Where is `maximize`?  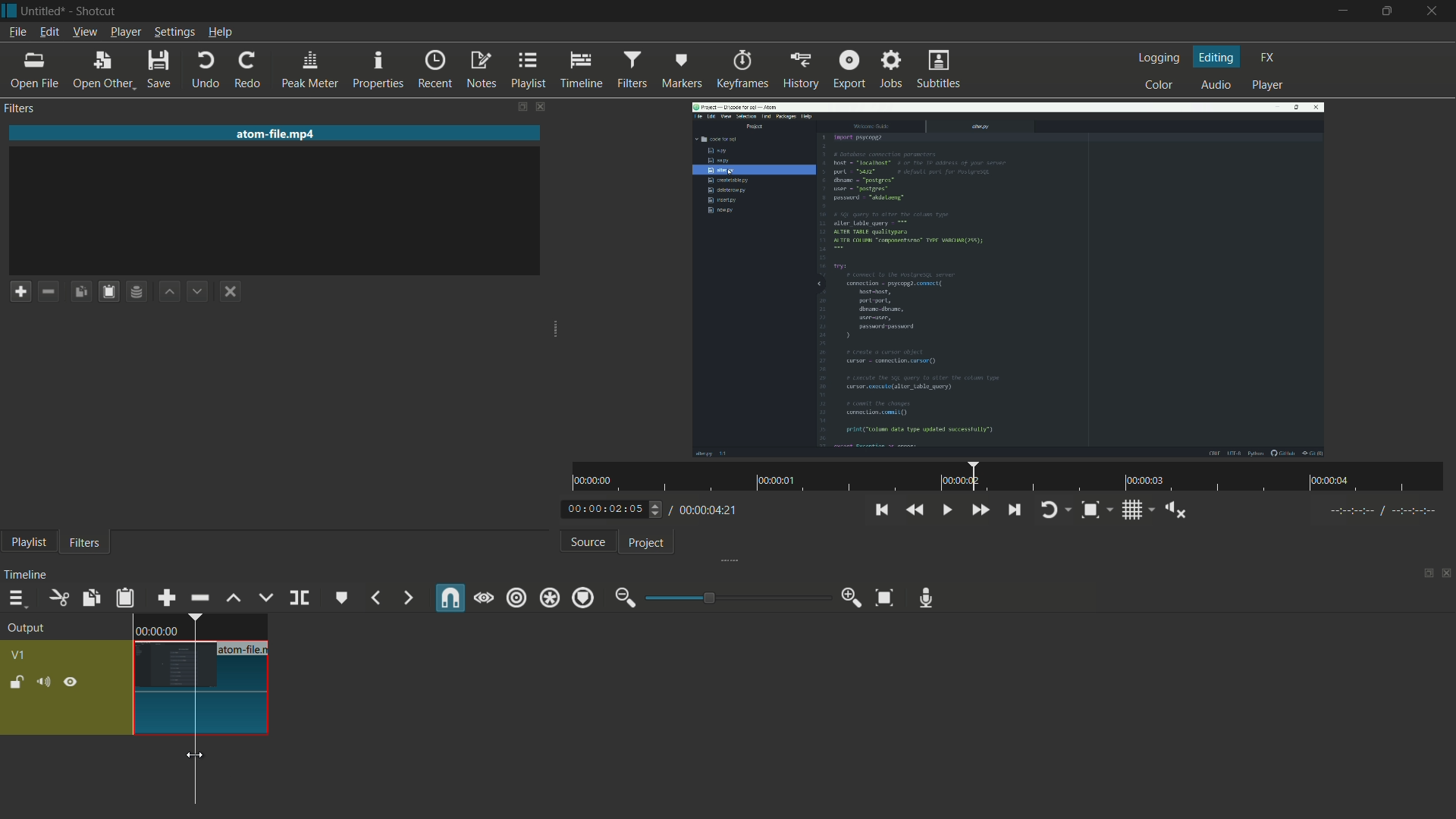
maximize is located at coordinates (1389, 11).